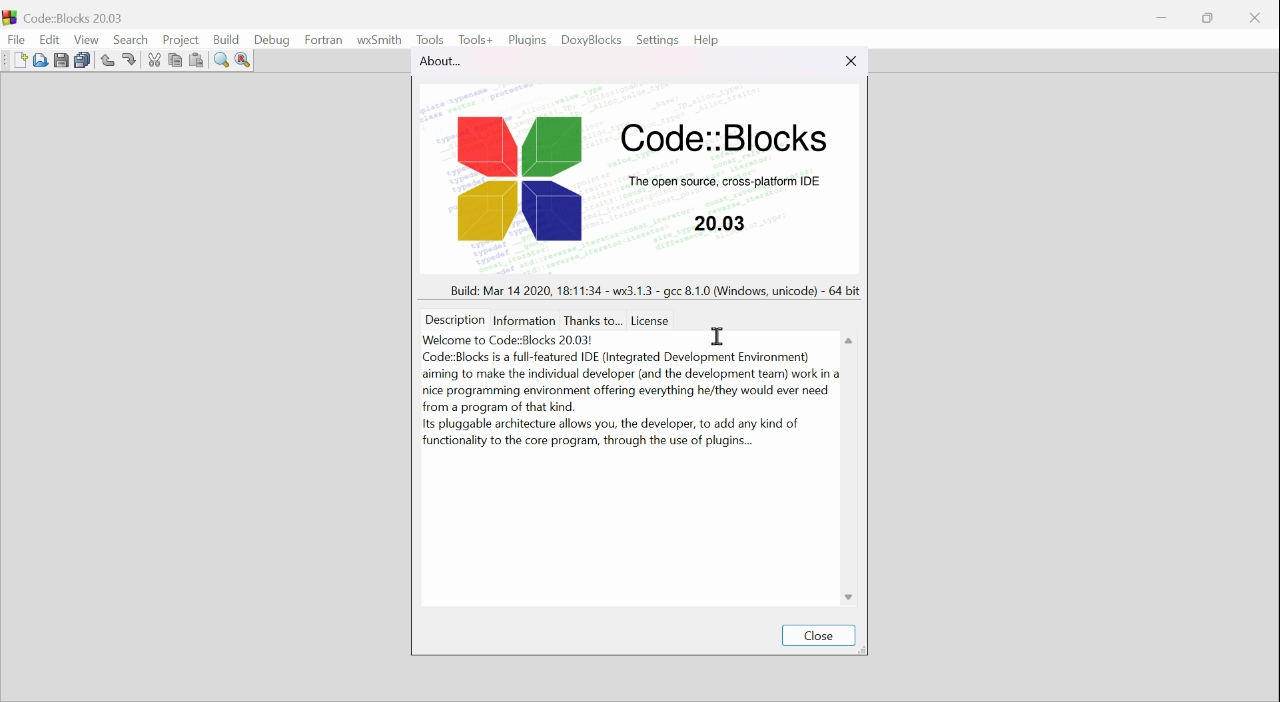 The width and height of the screenshot is (1280, 702). Describe the element at coordinates (474, 40) in the screenshot. I see `Tools+` at that location.